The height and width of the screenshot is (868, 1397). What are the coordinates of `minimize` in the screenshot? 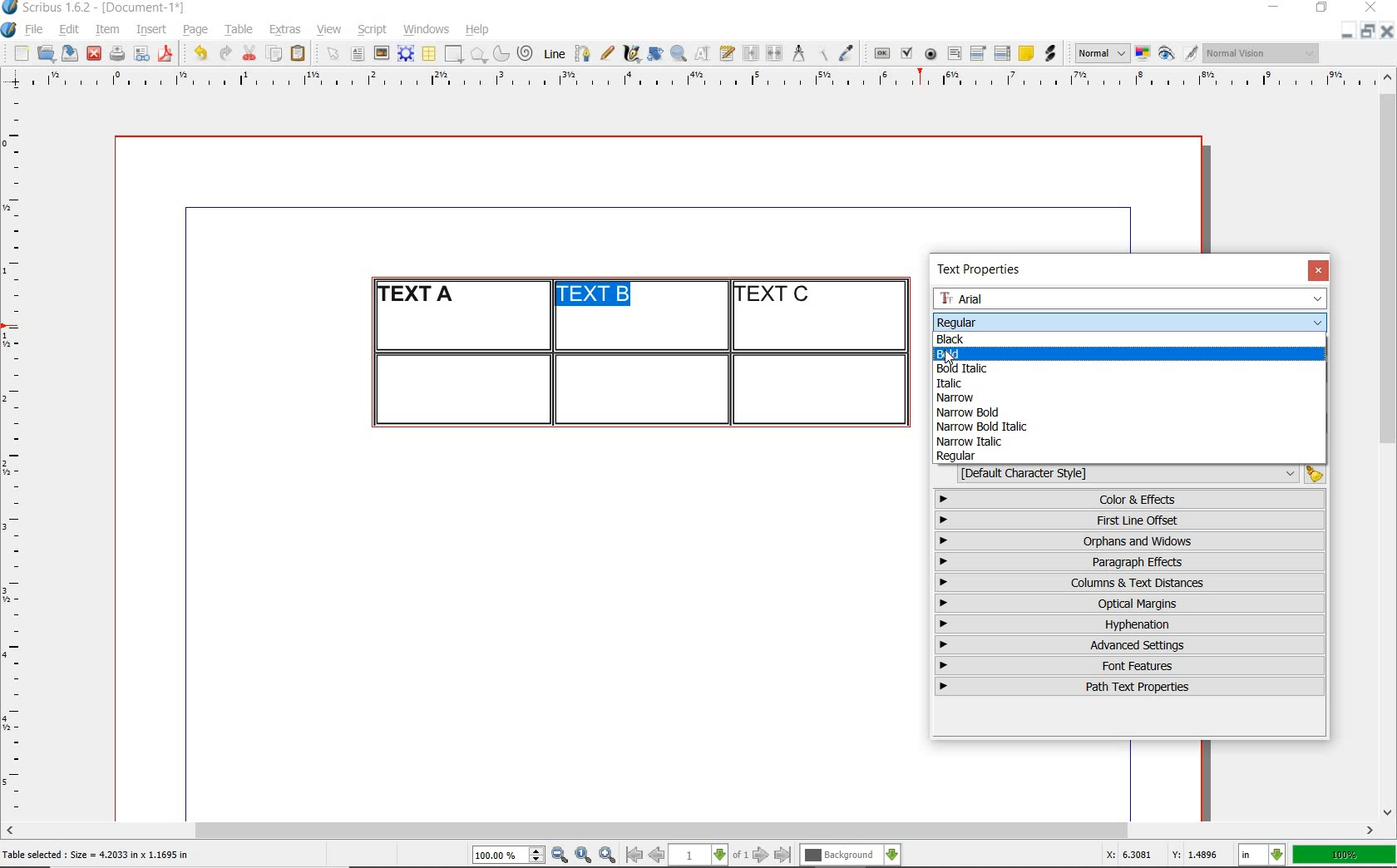 It's located at (1276, 8).